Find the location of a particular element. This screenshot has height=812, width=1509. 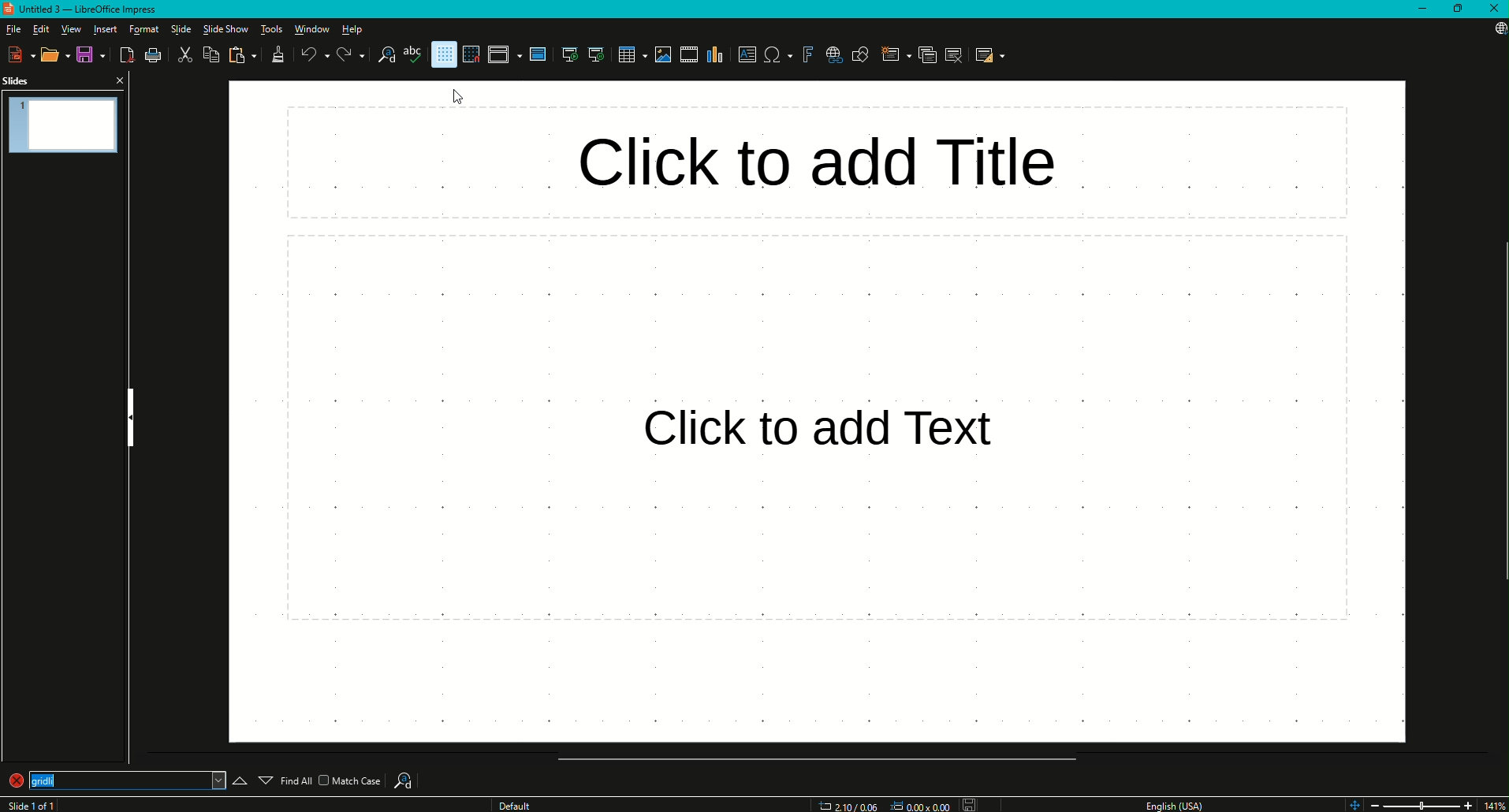

Paste is located at coordinates (241, 56).